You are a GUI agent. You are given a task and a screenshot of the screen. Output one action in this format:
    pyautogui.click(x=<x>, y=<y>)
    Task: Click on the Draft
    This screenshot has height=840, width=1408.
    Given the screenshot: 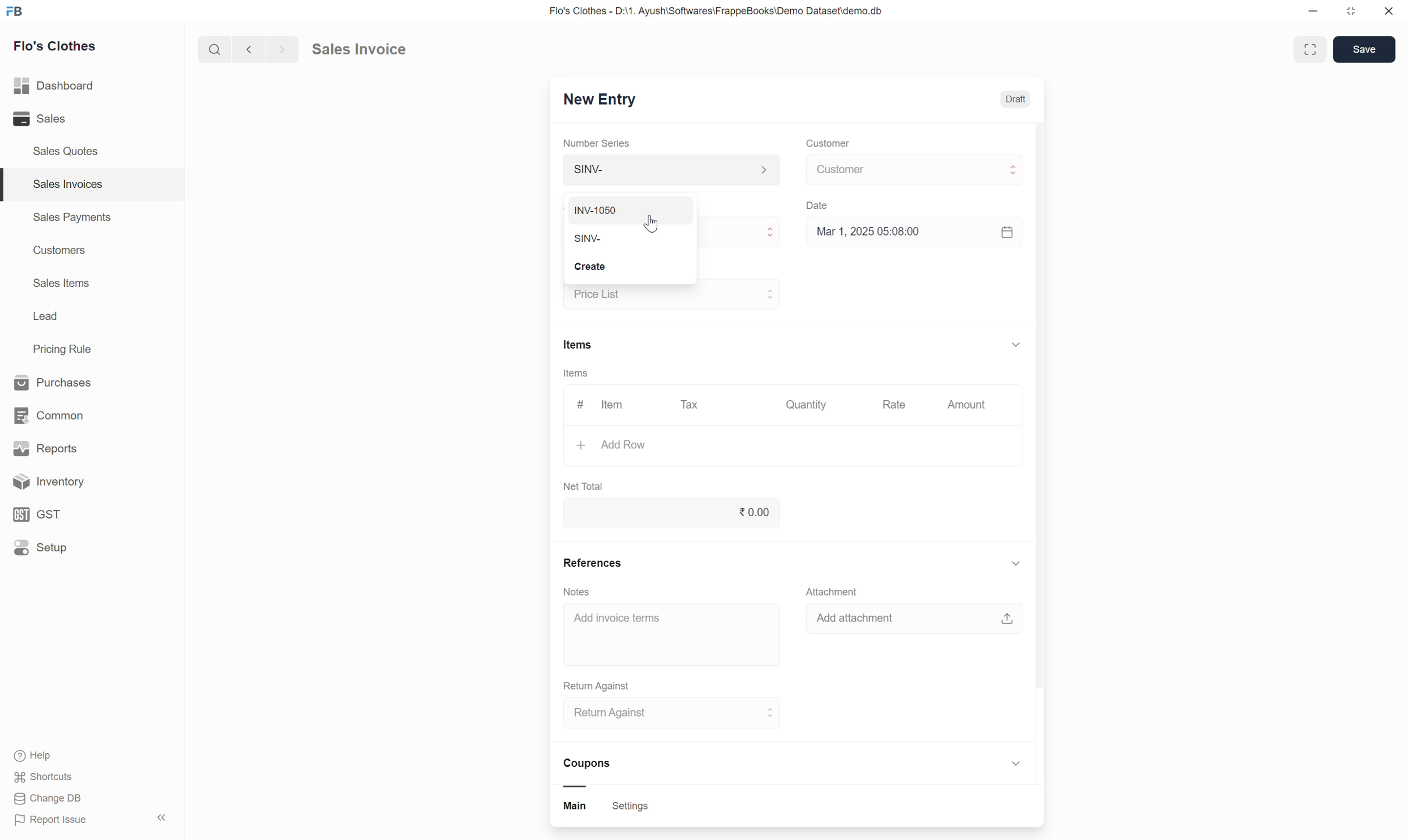 What is the action you would take?
    pyautogui.click(x=1015, y=100)
    